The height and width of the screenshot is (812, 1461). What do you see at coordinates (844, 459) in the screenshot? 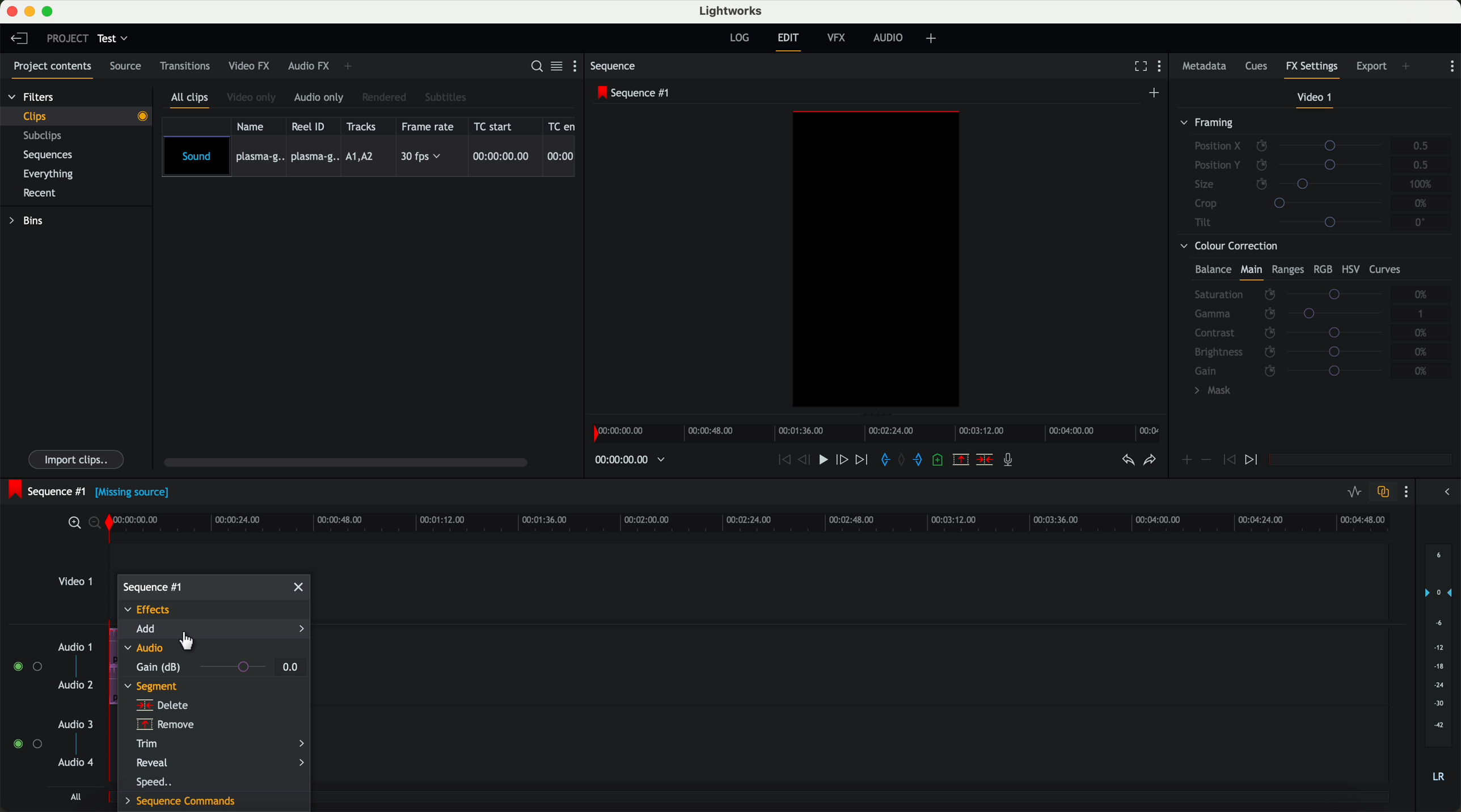
I see `nudge one frame foward` at bounding box center [844, 459].